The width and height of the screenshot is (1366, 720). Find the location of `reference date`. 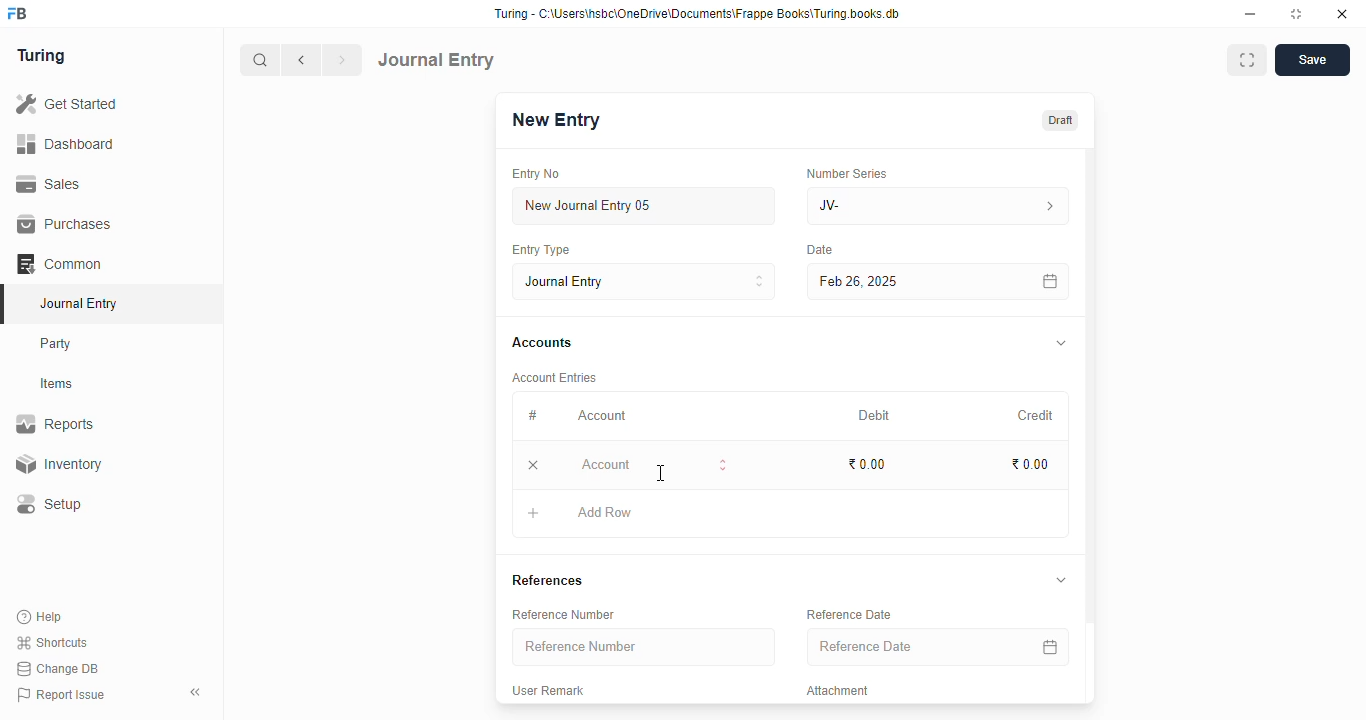

reference date is located at coordinates (909, 647).